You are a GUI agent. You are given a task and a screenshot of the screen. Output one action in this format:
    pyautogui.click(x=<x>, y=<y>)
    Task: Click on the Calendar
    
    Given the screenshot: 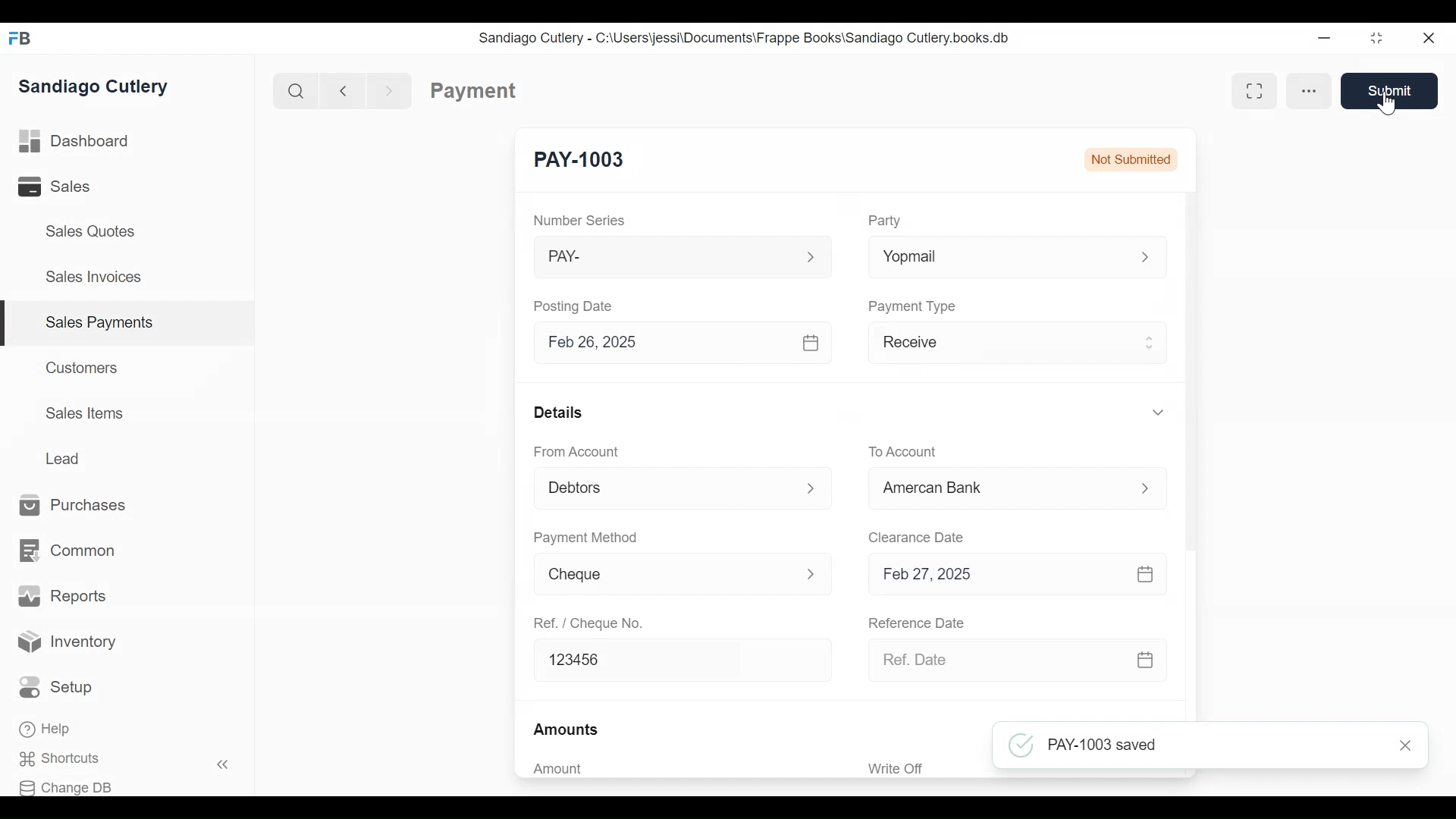 What is the action you would take?
    pyautogui.click(x=1145, y=659)
    